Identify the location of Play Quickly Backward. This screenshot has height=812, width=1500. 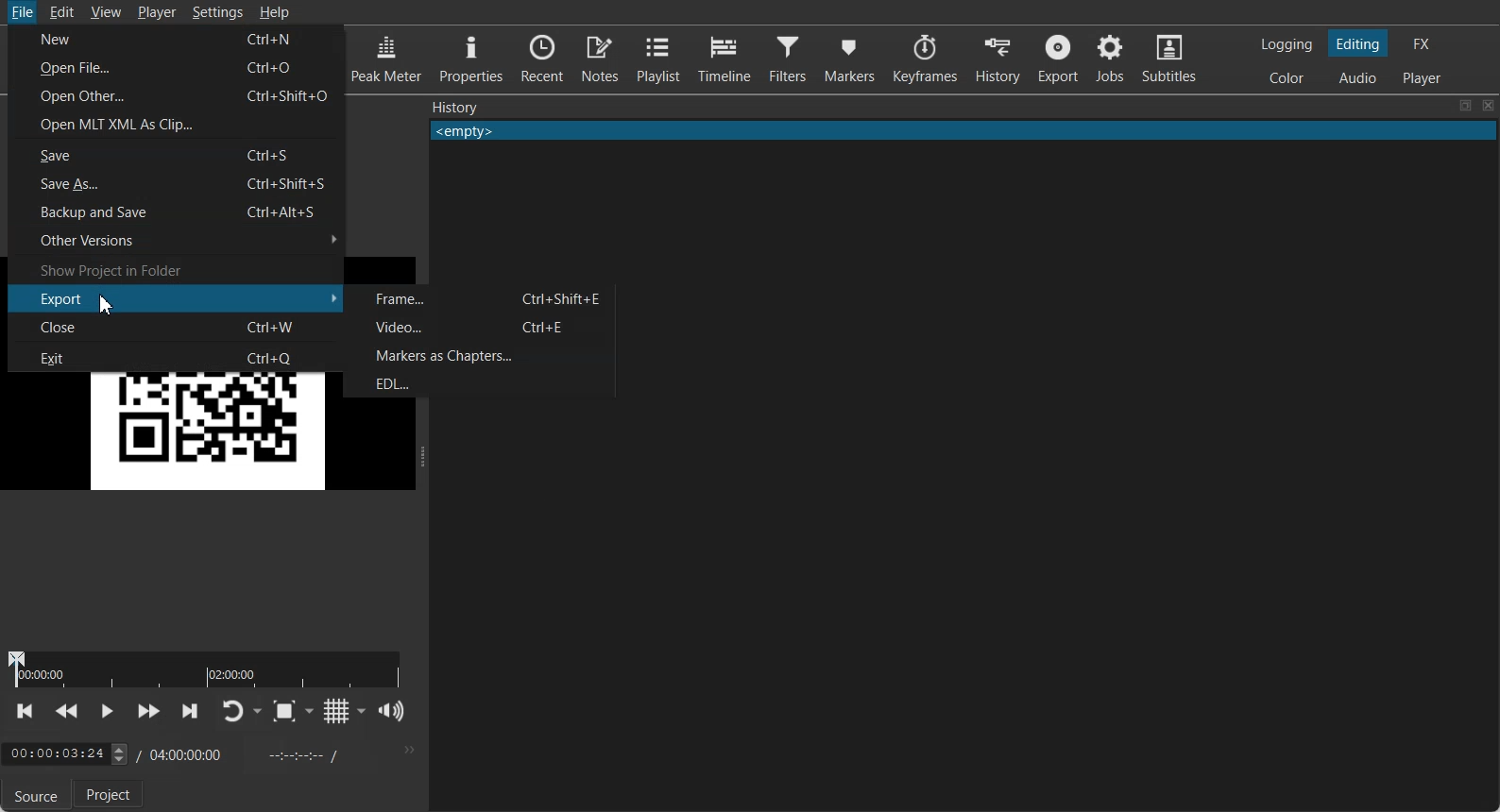
(67, 712).